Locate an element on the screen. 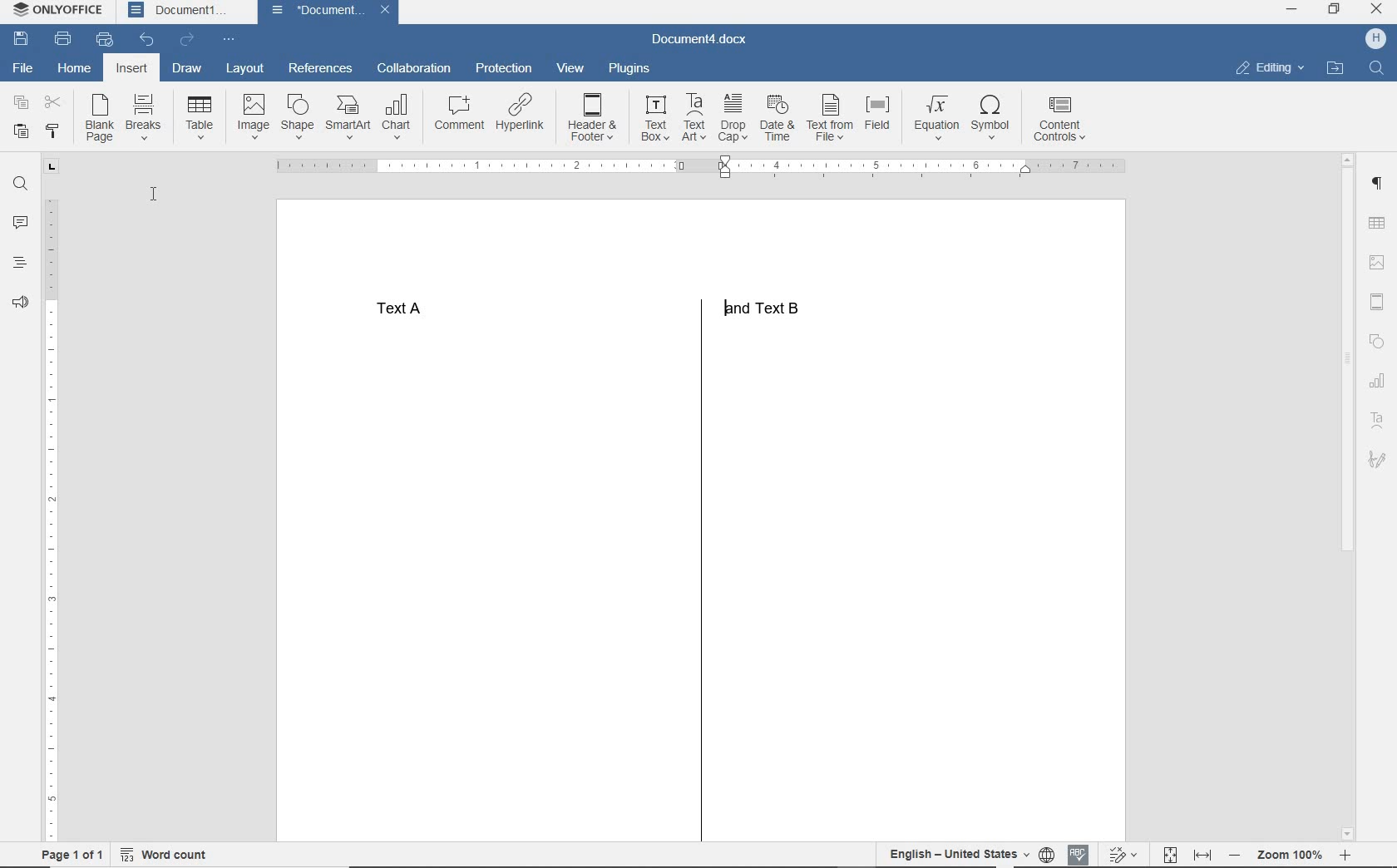 The width and height of the screenshot is (1397, 868). HEADINGS is located at coordinates (20, 260).